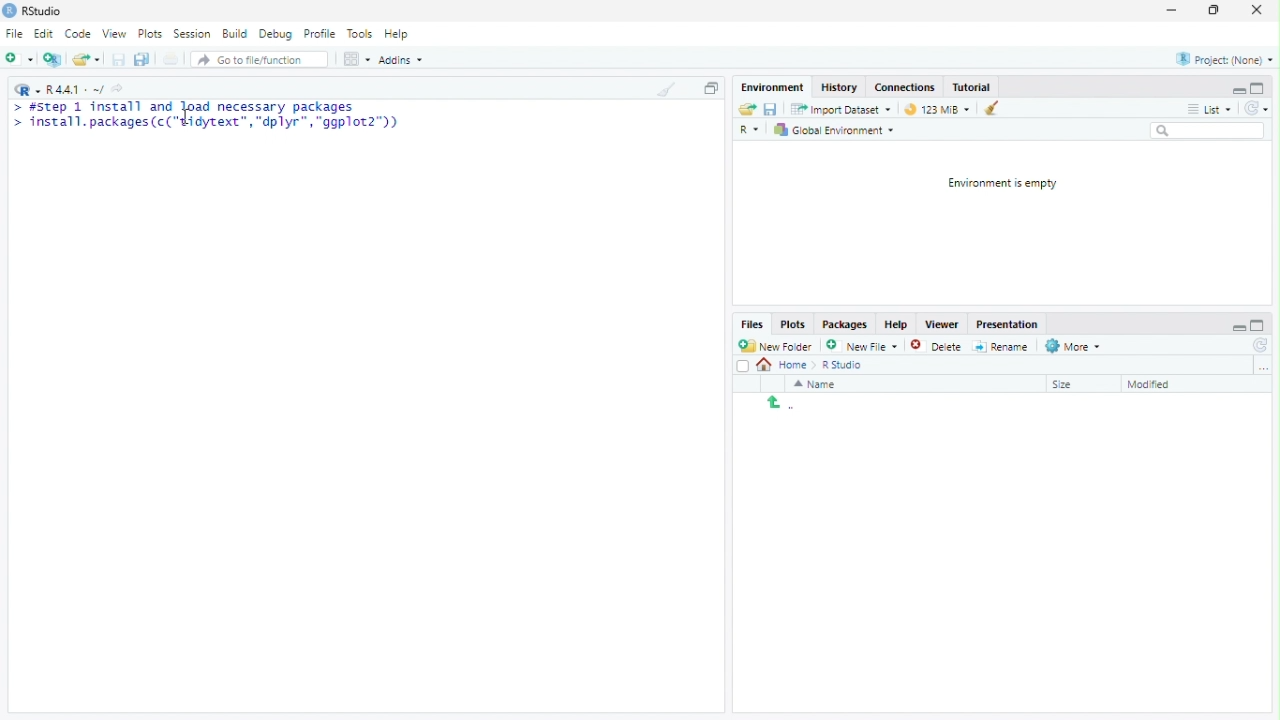 This screenshot has width=1280, height=720. What do you see at coordinates (845, 325) in the screenshot?
I see `Packages` at bounding box center [845, 325].